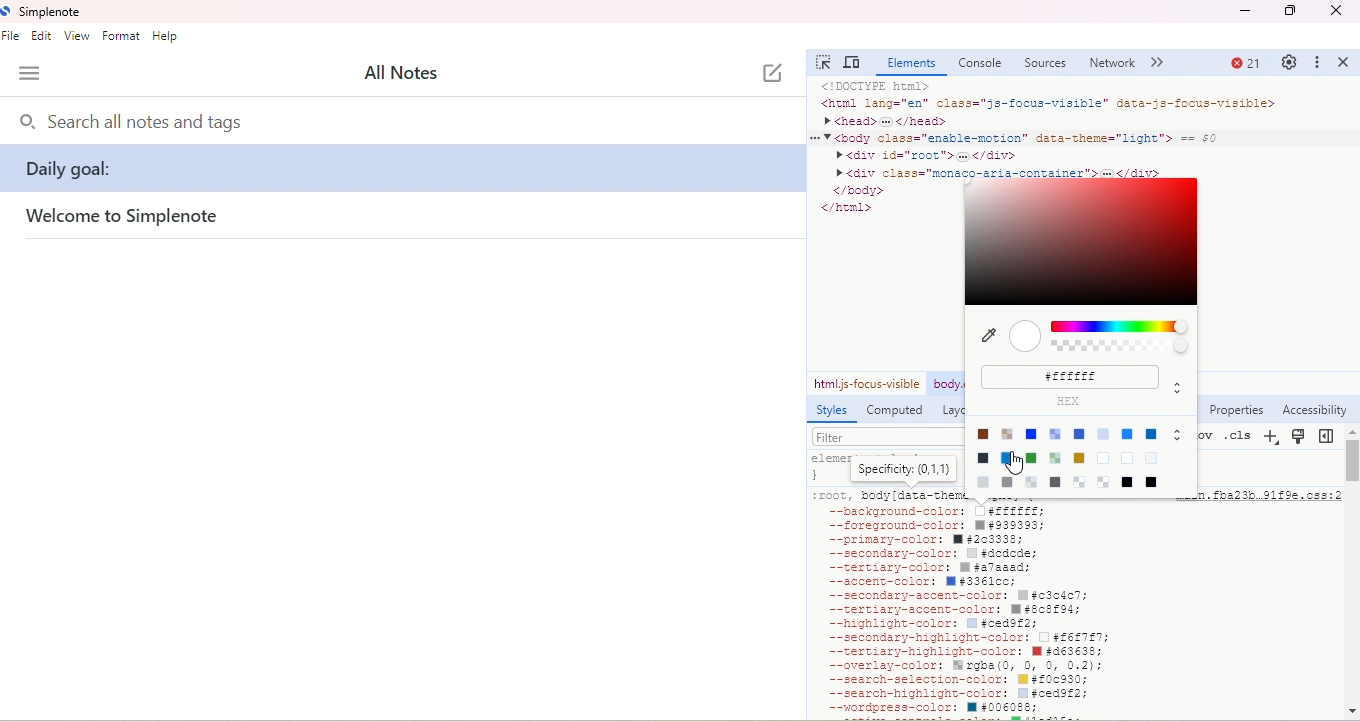 The width and height of the screenshot is (1360, 722). What do you see at coordinates (1337, 12) in the screenshot?
I see `close` at bounding box center [1337, 12].